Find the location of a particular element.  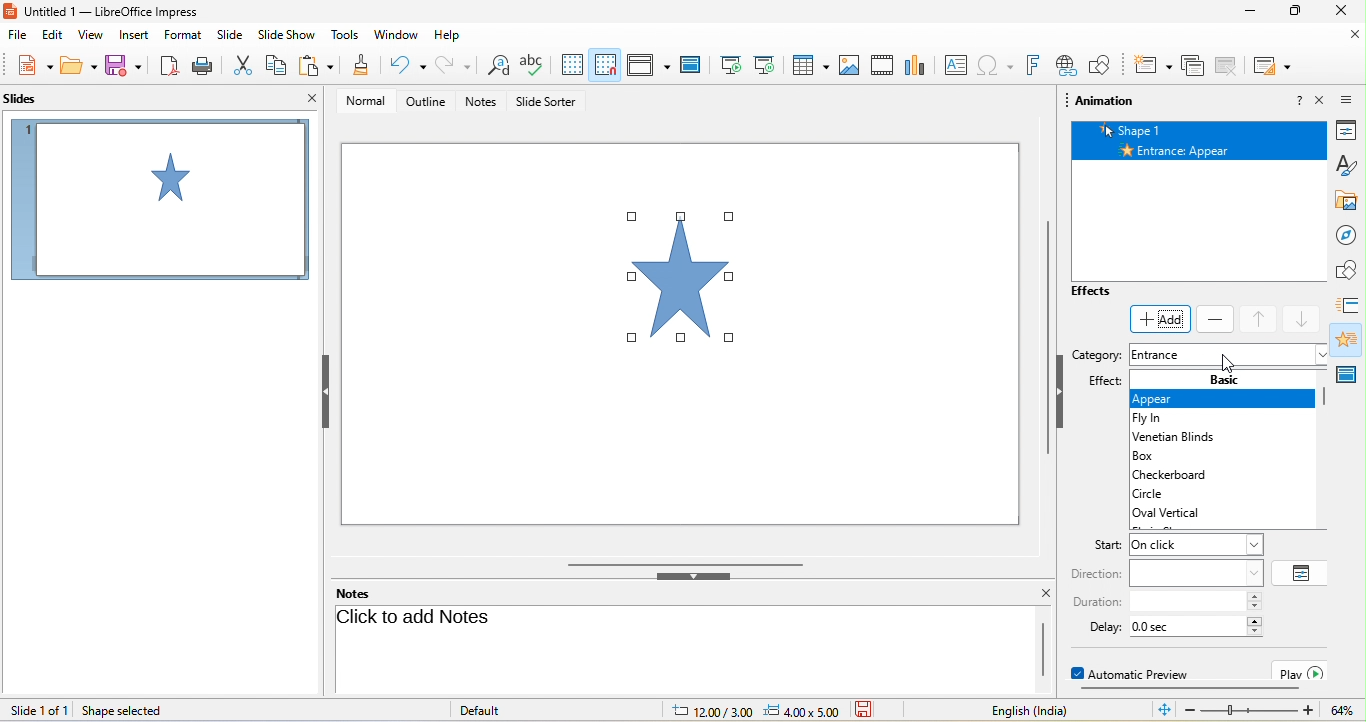

slide layout is located at coordinates (1273, 67).